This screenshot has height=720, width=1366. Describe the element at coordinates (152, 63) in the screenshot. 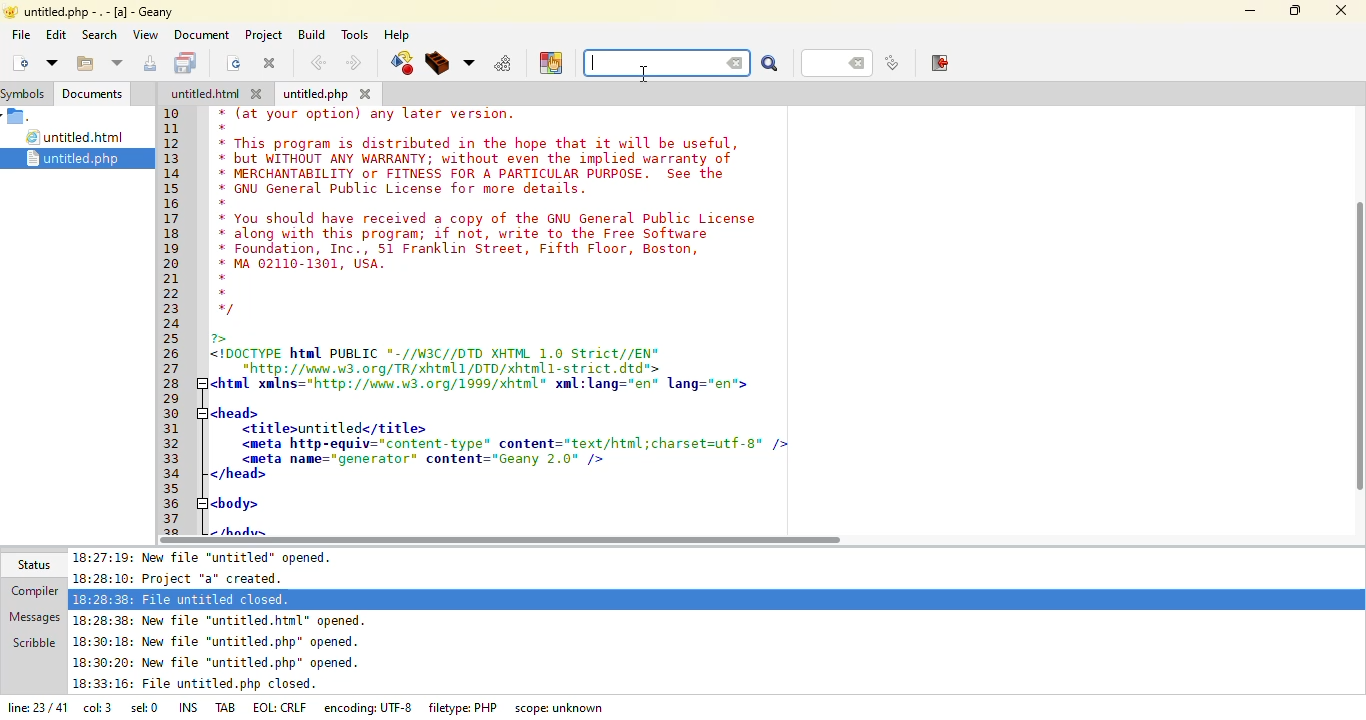

I see `save as` at that location.